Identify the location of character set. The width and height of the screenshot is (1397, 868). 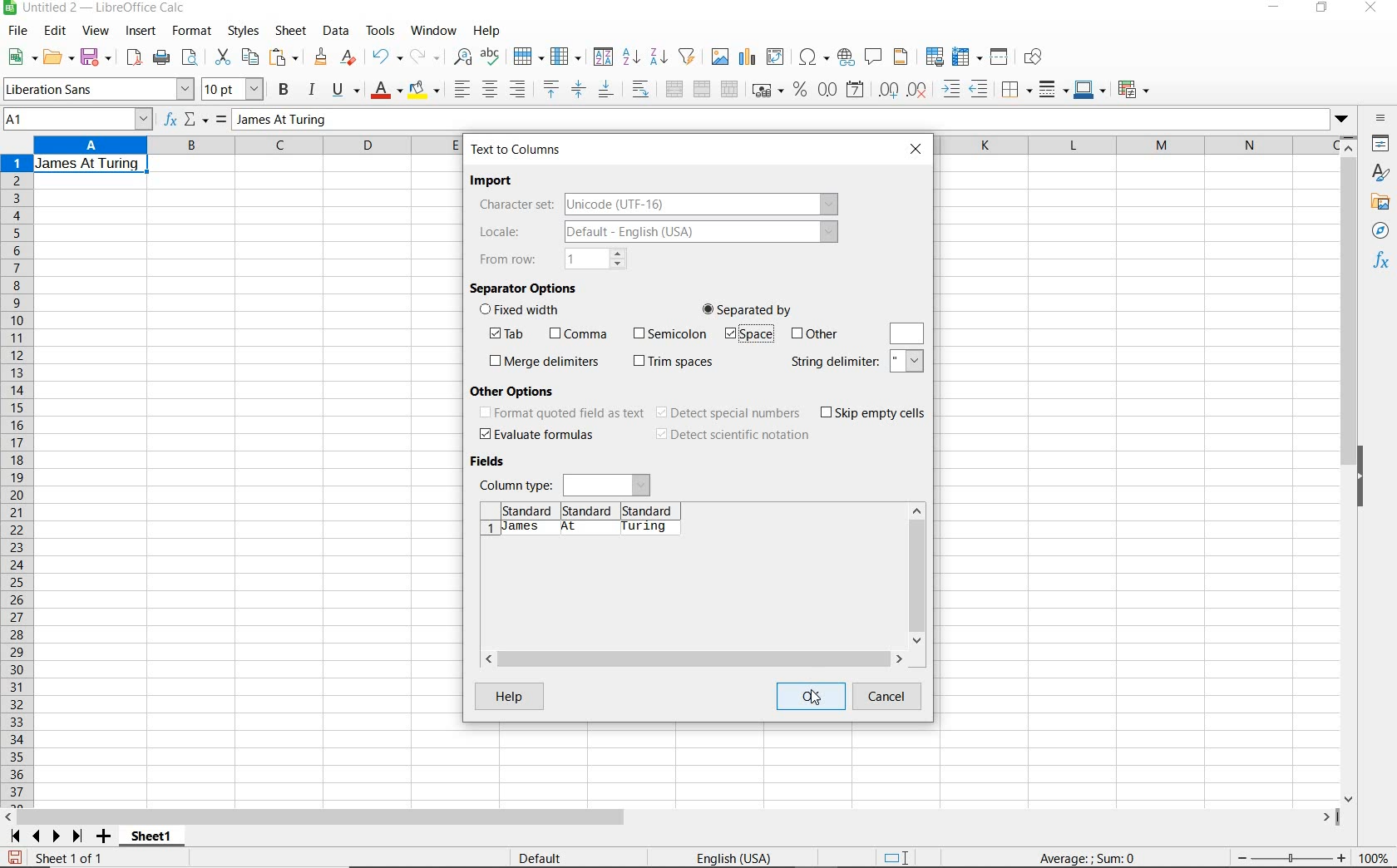
(656, 204).